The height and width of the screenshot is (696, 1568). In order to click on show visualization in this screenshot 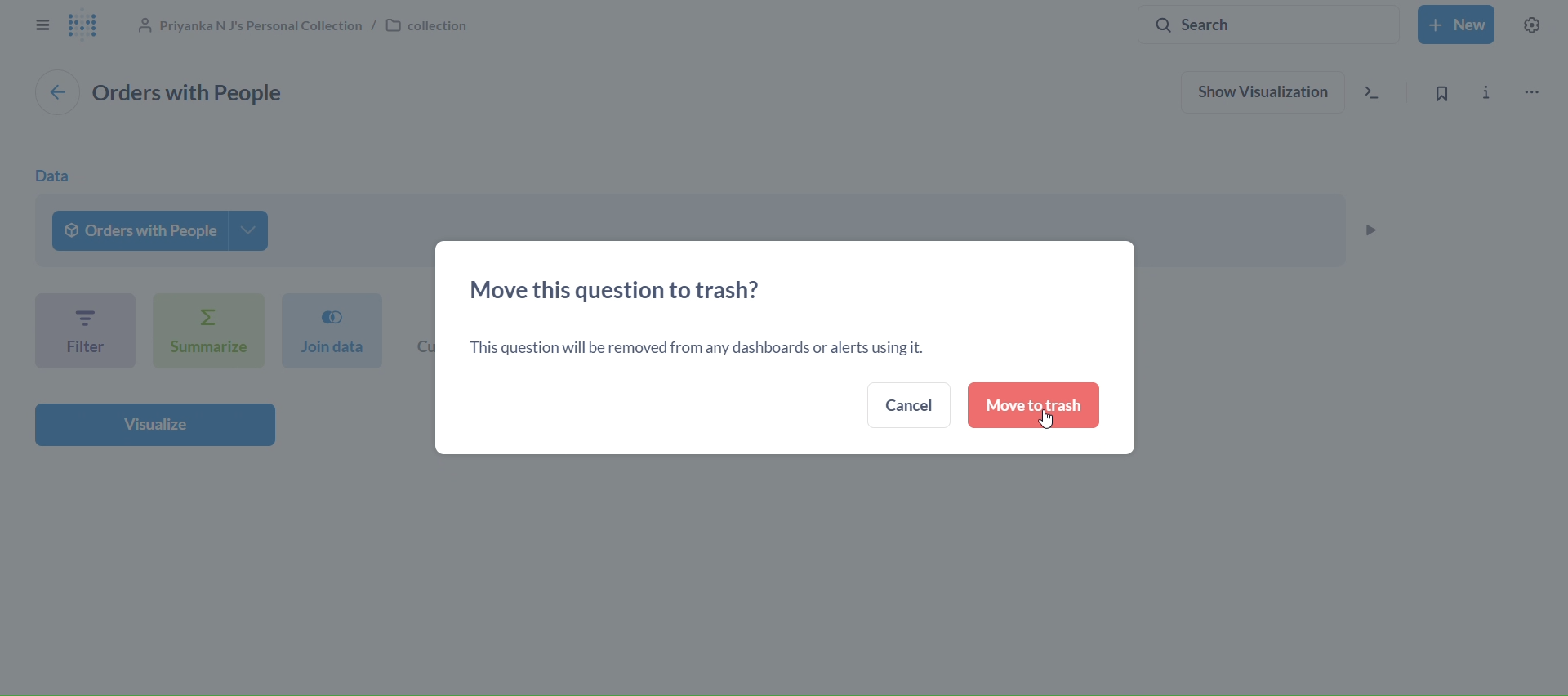, I will do `click(1263, 91)`.